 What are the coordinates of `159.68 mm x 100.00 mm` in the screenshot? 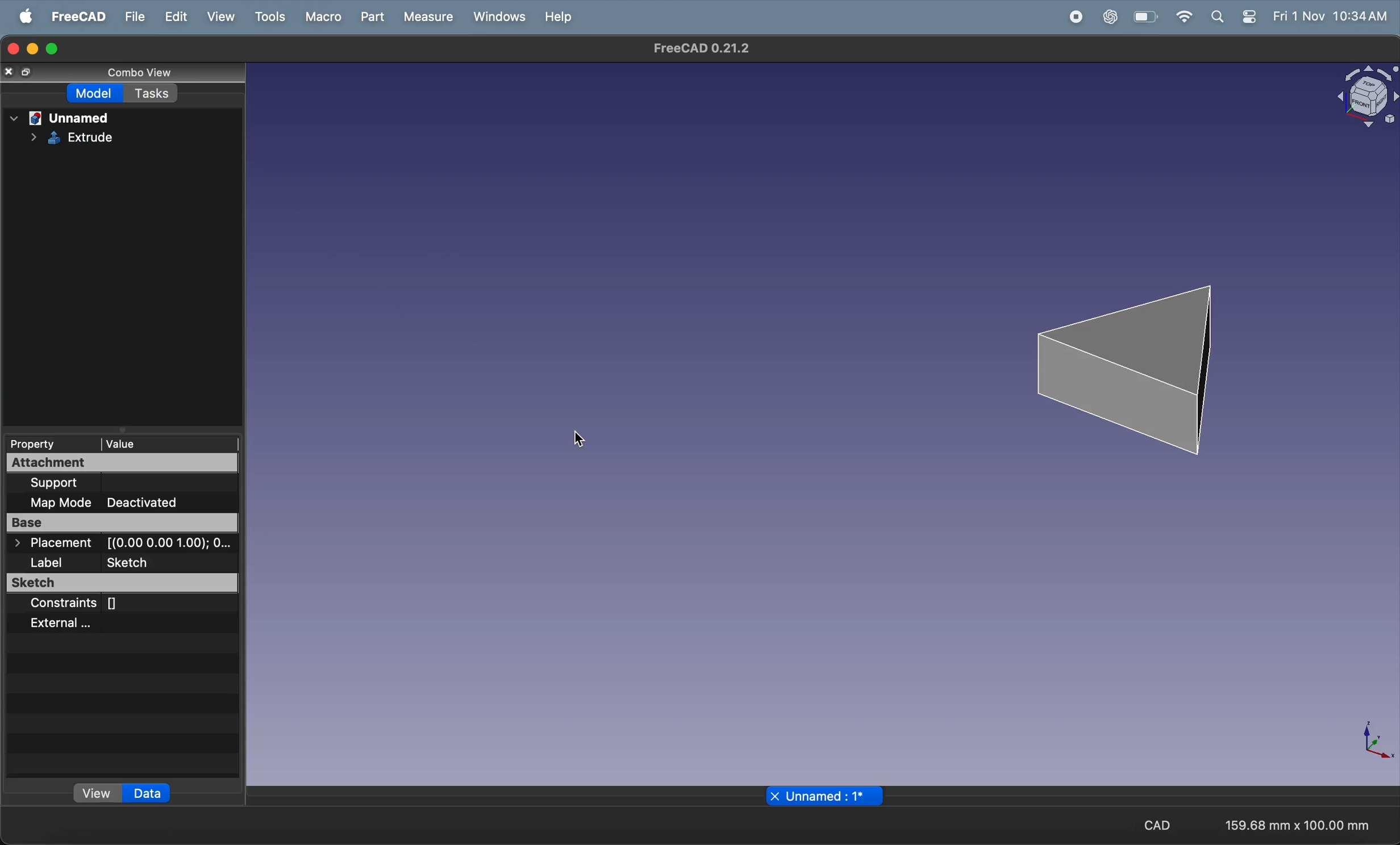 It's located at (1296, 826).